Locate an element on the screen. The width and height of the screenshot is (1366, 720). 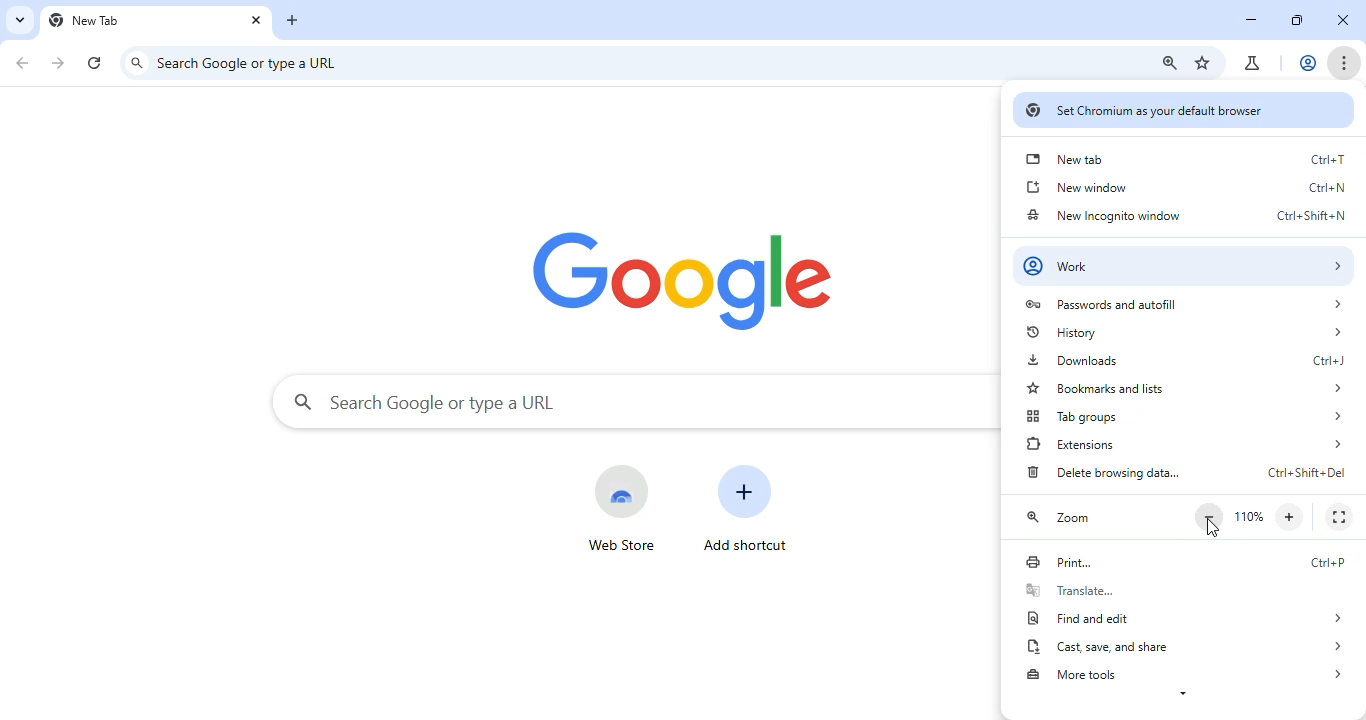
zoom is located at coordinates (1061, 518).